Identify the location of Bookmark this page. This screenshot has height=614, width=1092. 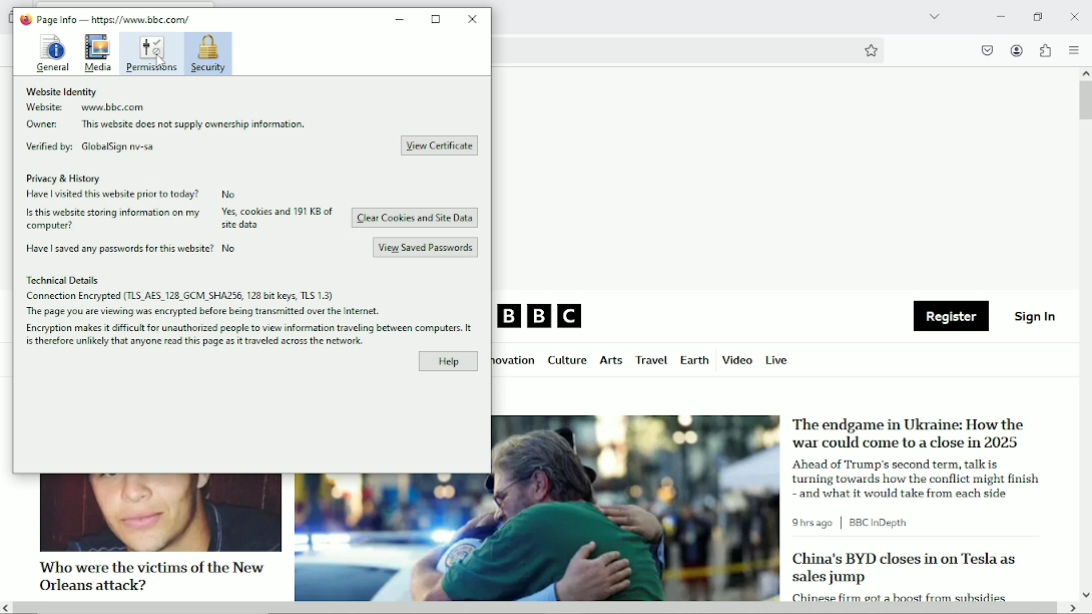
(870, 50).